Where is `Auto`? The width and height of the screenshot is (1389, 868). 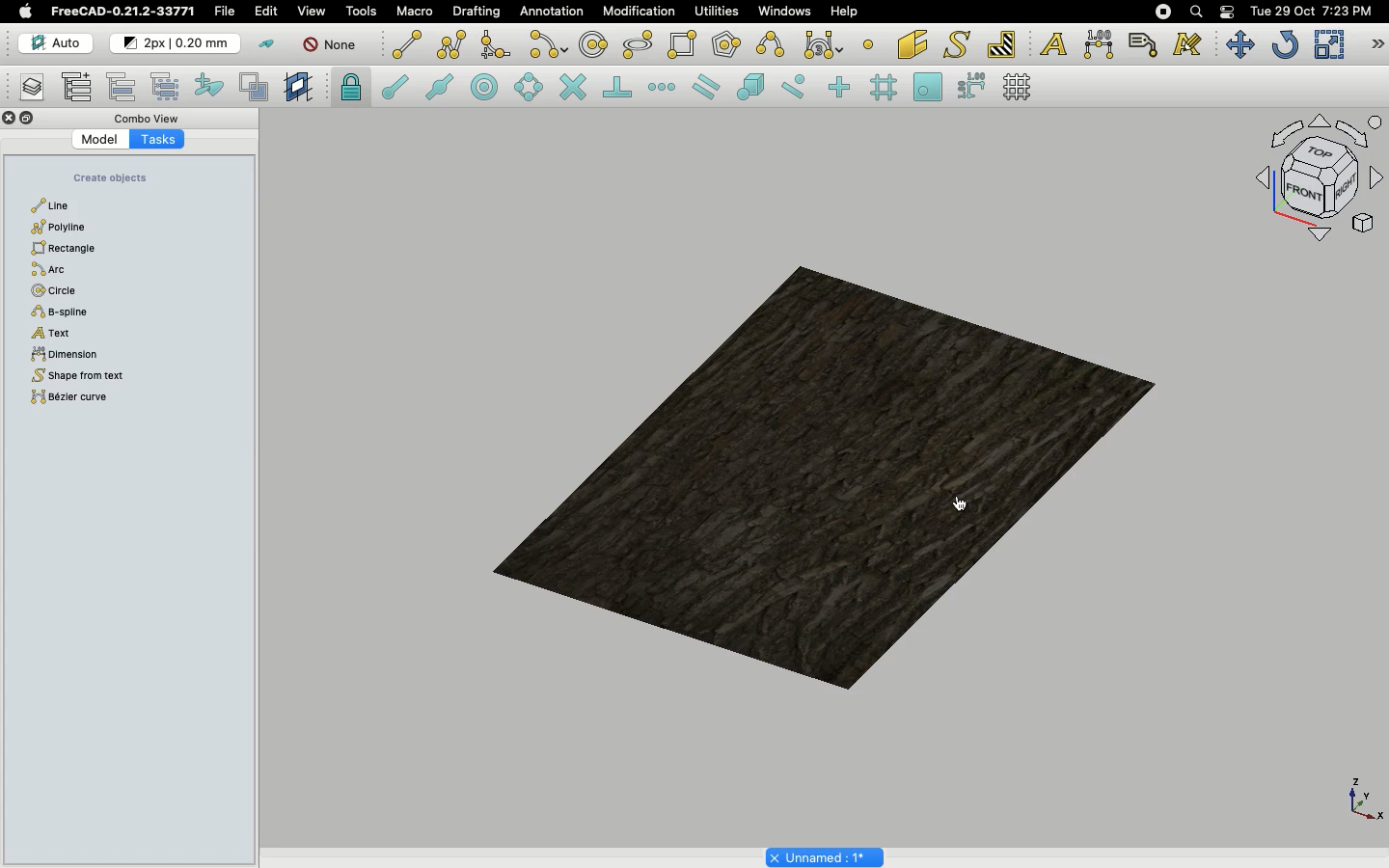
Auto is located at coordinates (49, 42).